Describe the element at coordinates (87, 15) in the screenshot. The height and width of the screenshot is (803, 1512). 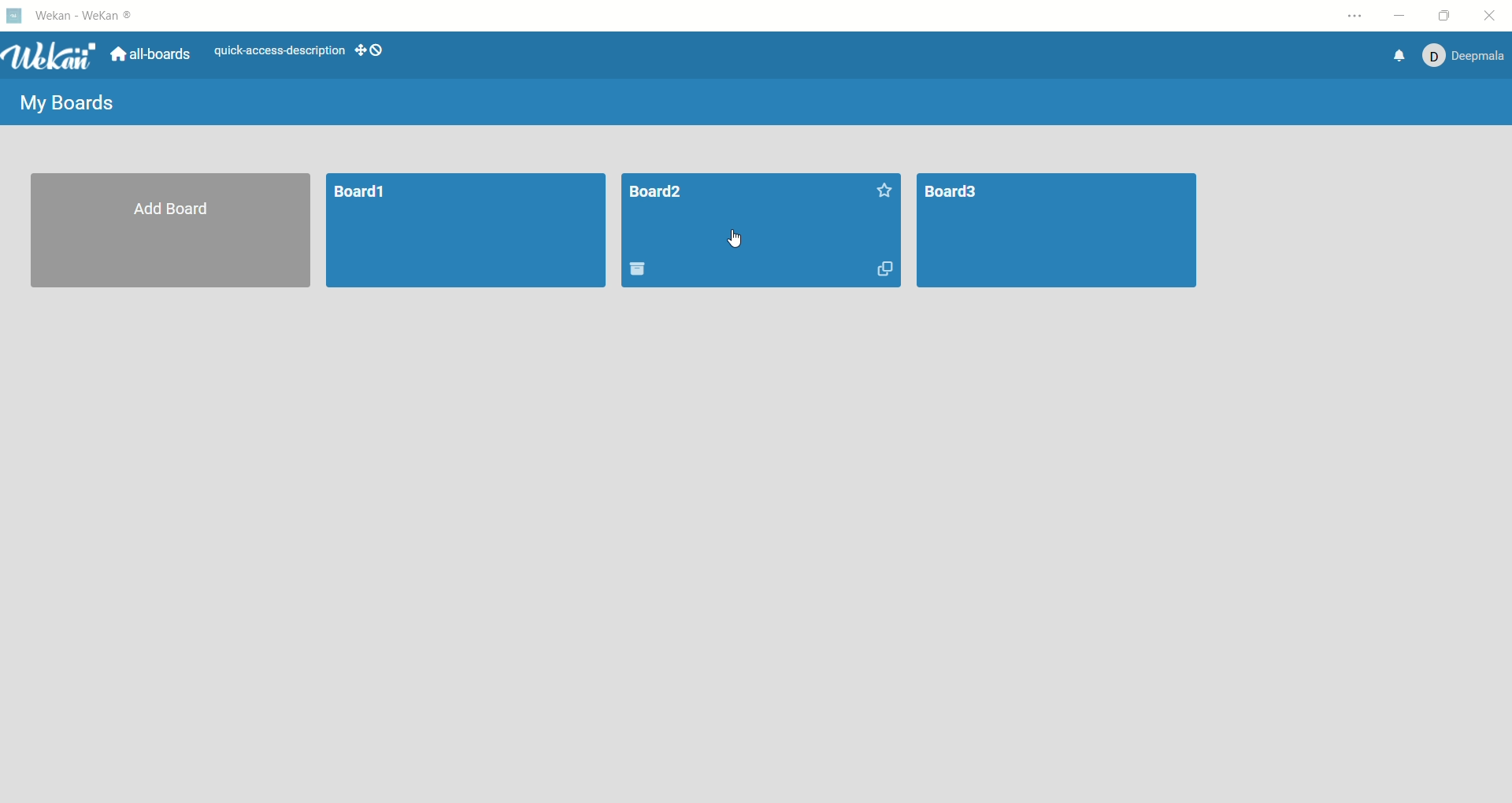
I see `wekan-wekan` at that location.